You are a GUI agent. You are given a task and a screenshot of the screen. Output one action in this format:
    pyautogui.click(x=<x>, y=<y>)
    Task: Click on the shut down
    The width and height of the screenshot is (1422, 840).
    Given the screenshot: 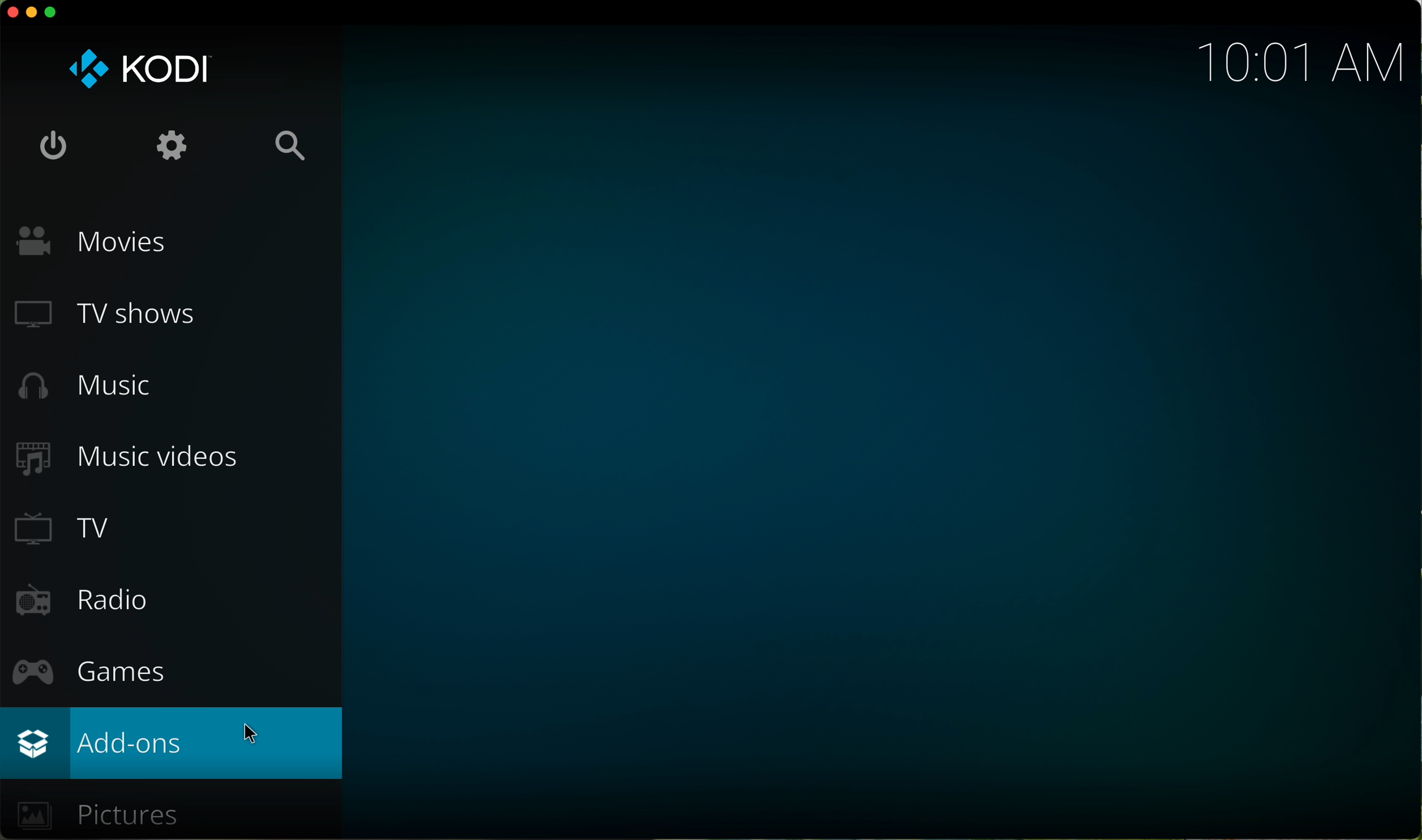 What is the action you would take?
    pyautogui.click(x=49, y=145)
    